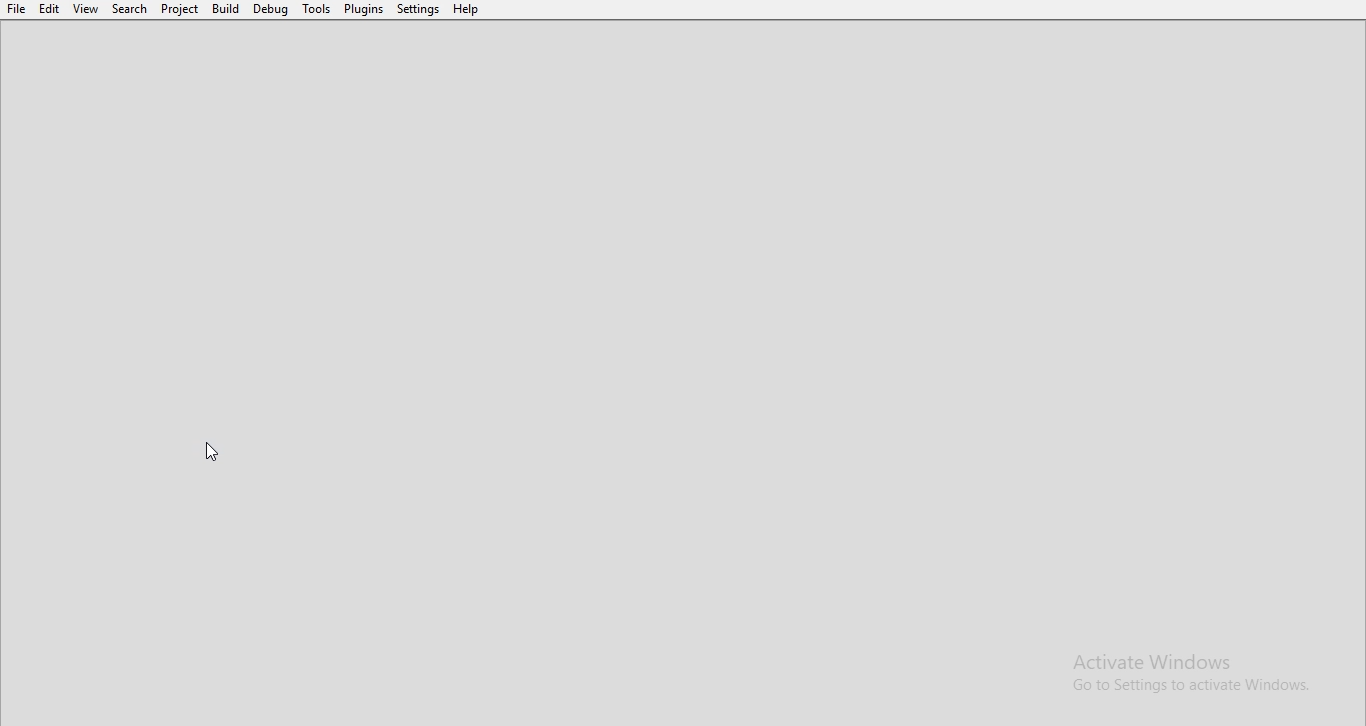 Image resolution: width=1366 pixels, height=726 pixels. What do you see at coordinates (85, 9) in the screenshot?
I see `View ` at bounding box center [85, 9].